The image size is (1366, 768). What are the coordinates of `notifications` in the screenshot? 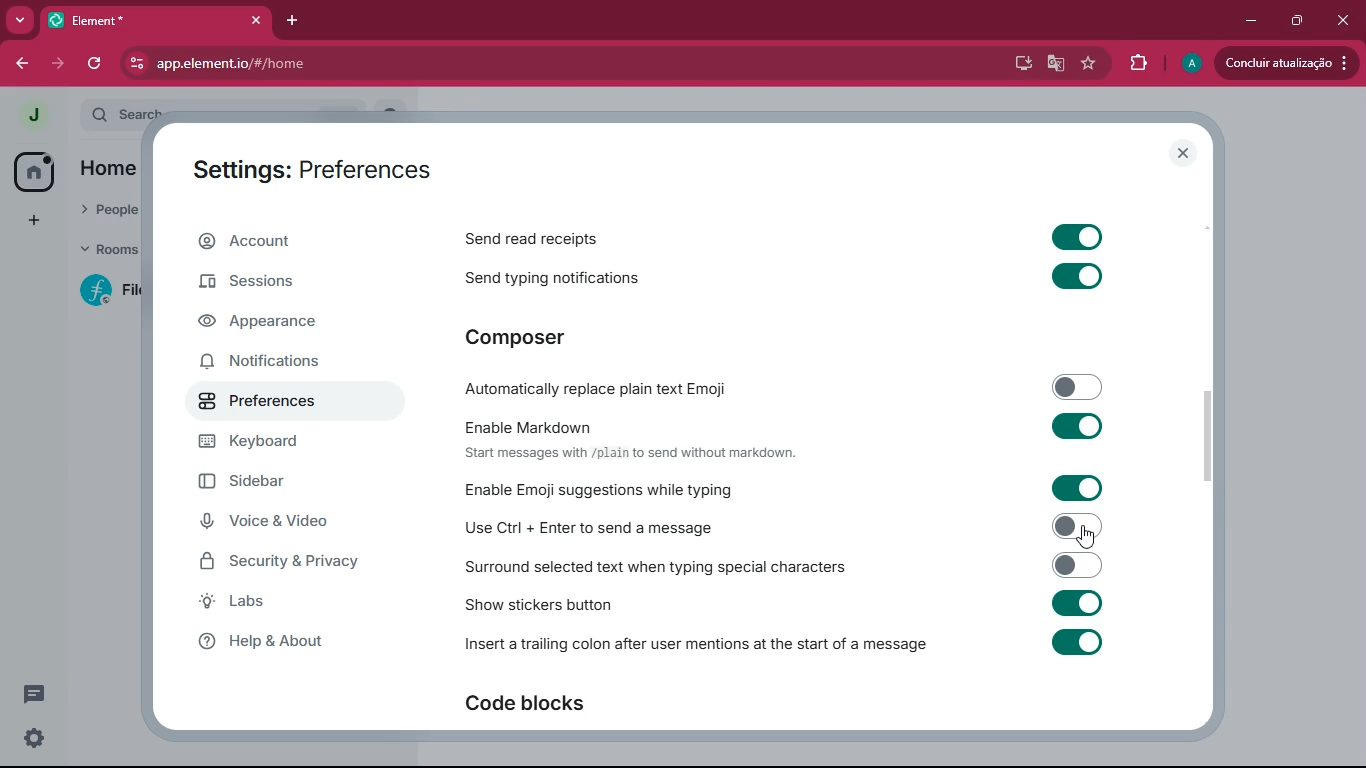 It's located at (277, 364).